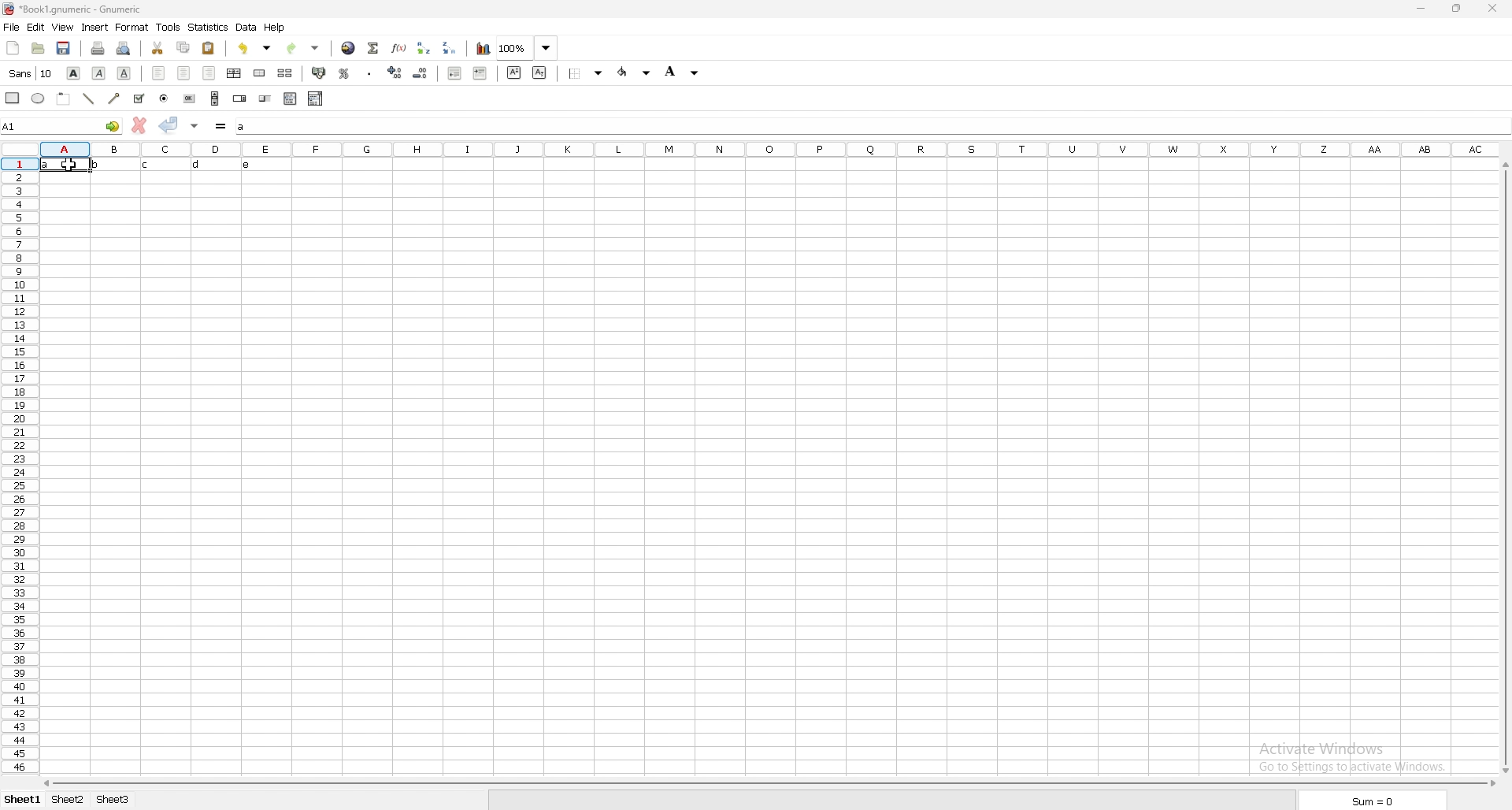 The height and width of the screenshot is (810, 1512). I want to click on help, so click(276, 28).